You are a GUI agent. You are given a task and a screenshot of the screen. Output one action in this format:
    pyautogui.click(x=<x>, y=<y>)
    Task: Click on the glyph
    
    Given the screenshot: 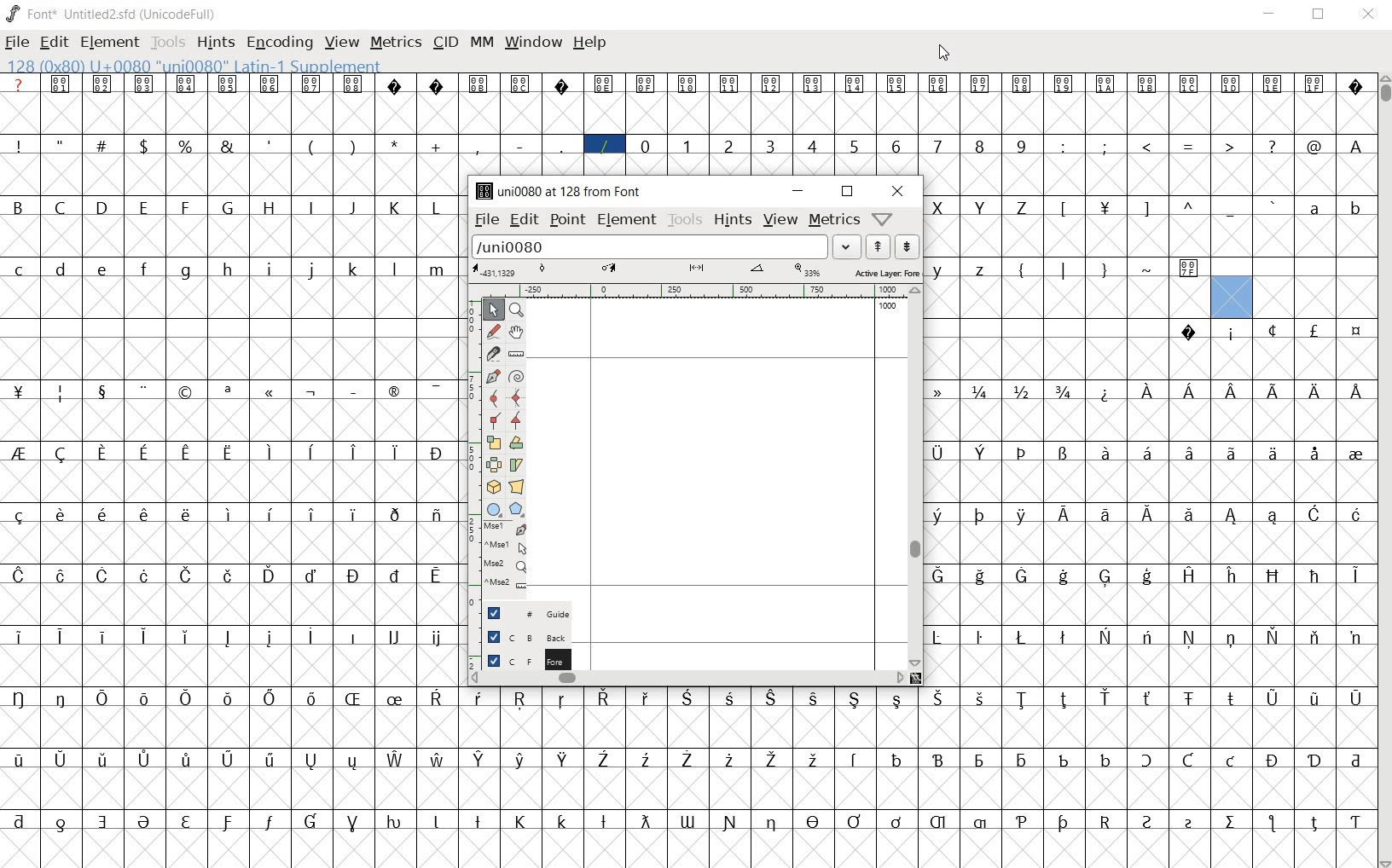 What is the action you would take?
    pyautogui.click(x=815, y=699)
    